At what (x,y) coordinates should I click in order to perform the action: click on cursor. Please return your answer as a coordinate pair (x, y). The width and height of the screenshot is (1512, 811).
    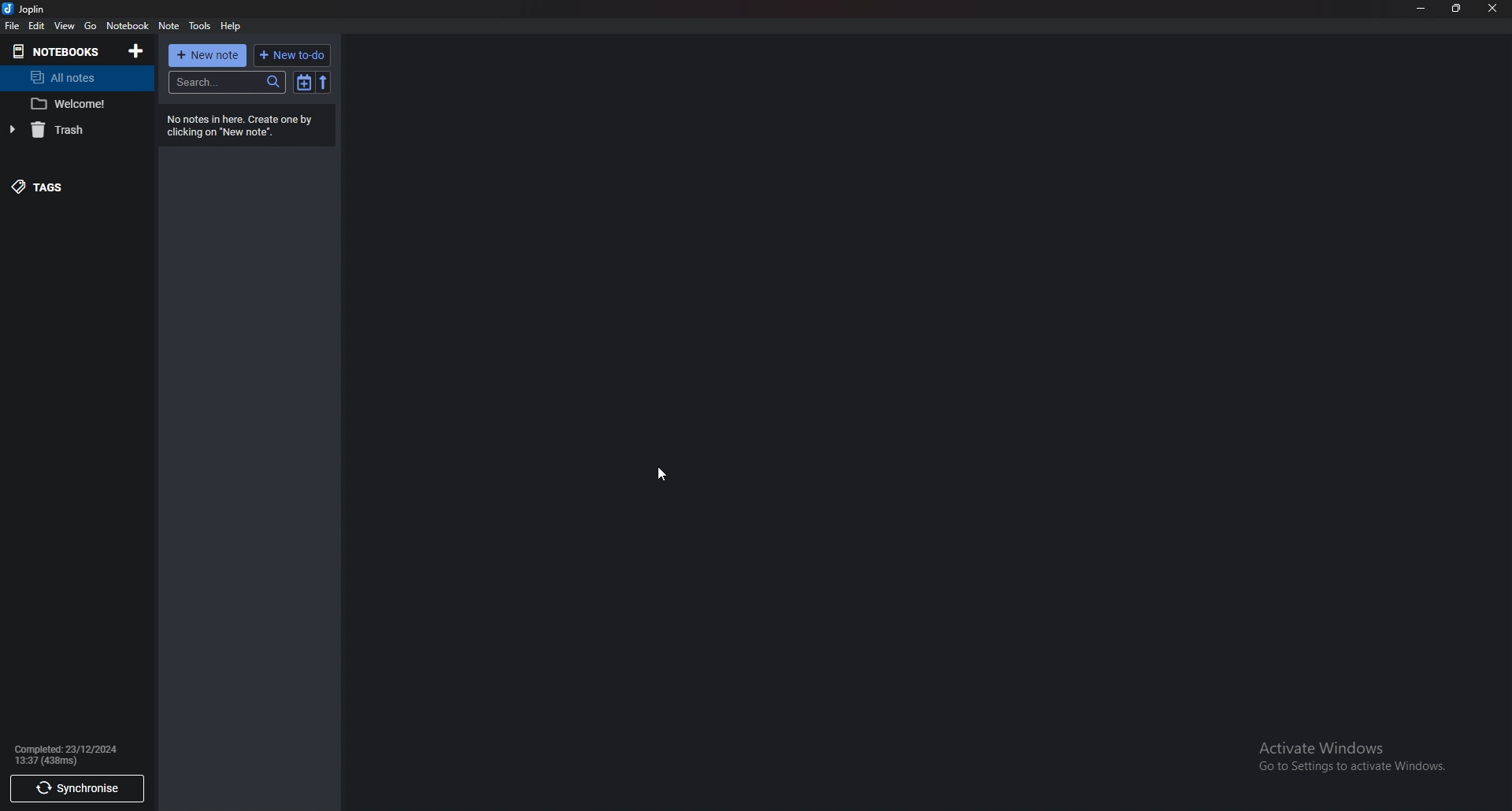
    Looking at the image, I should click on (661, 472).